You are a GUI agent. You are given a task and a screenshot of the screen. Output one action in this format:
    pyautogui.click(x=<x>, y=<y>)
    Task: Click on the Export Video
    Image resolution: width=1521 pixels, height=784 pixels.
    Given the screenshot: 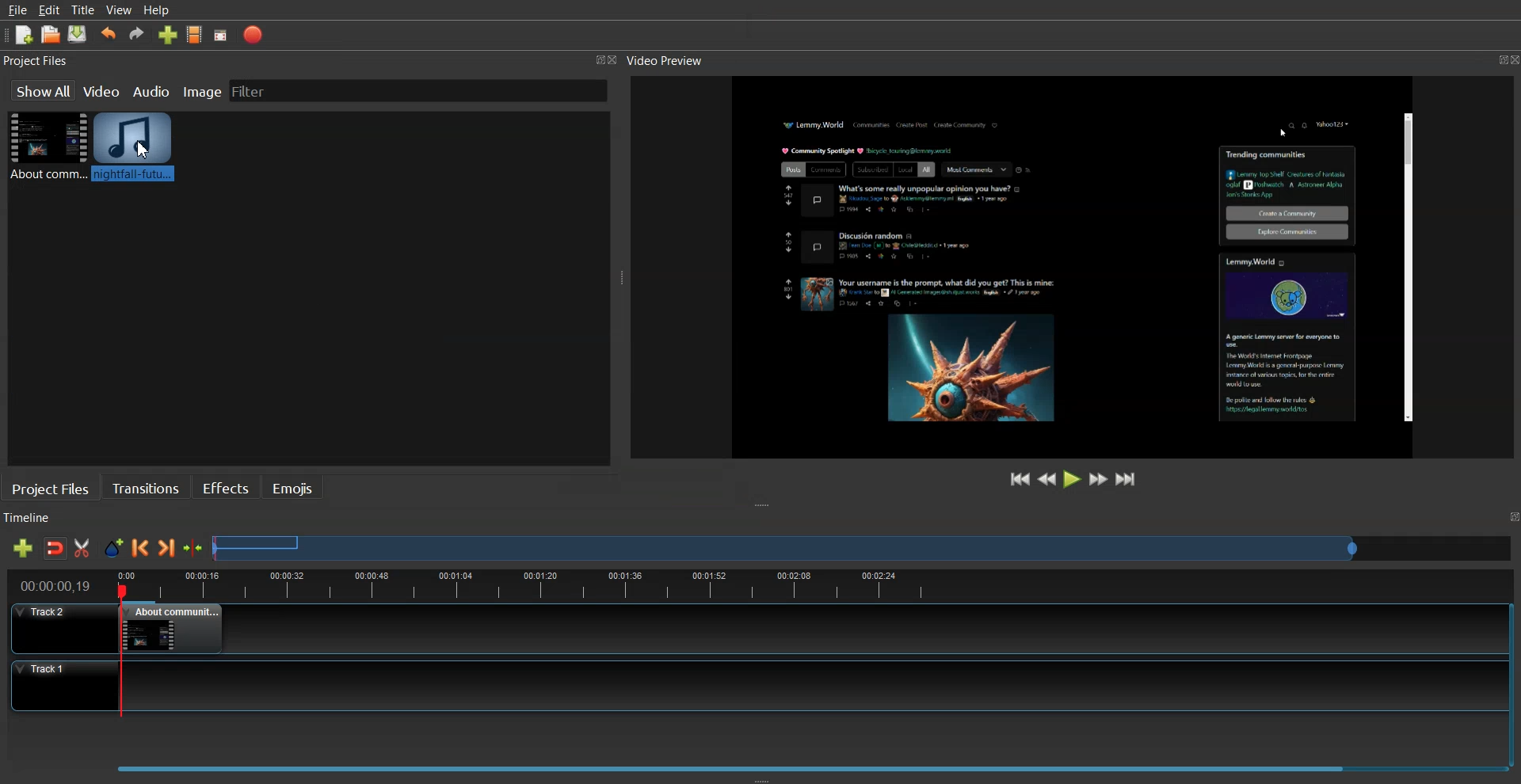 What is the action you would take?
    pyautogui.click(x=253, y=35)
    